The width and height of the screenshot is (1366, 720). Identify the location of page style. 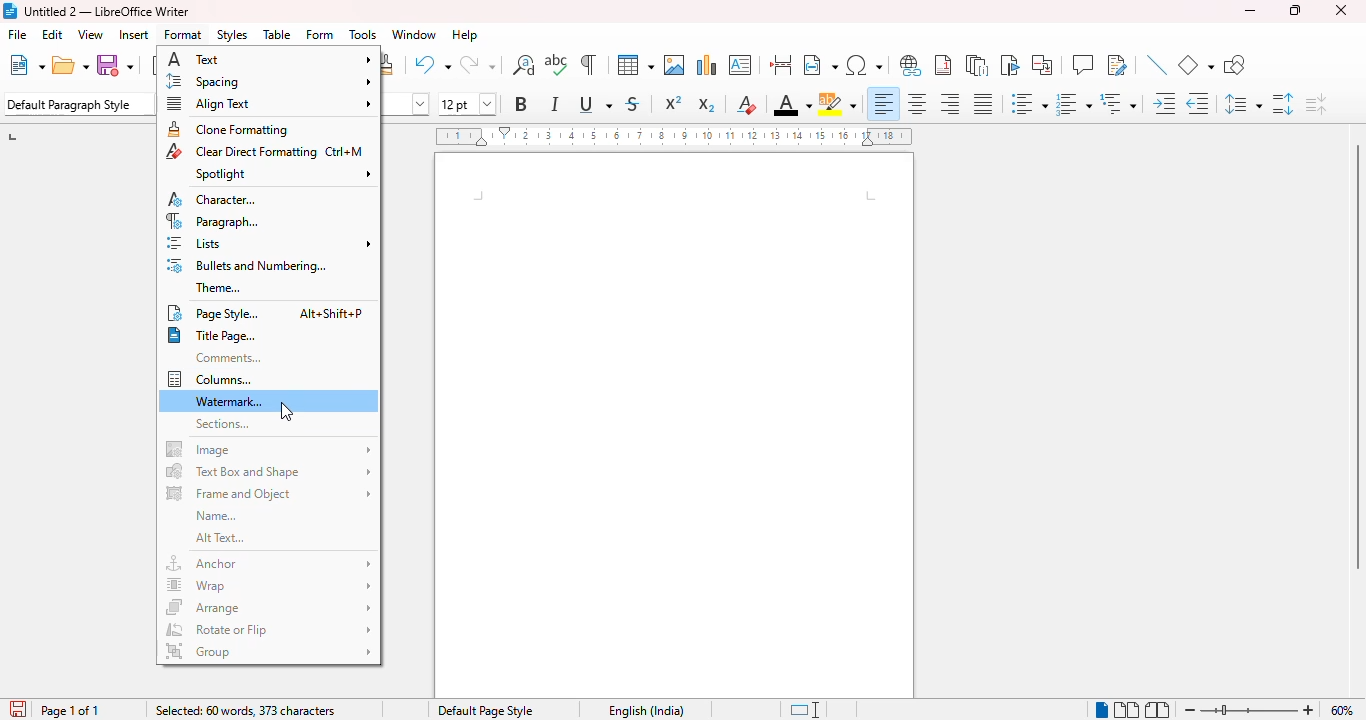
(211, 312).